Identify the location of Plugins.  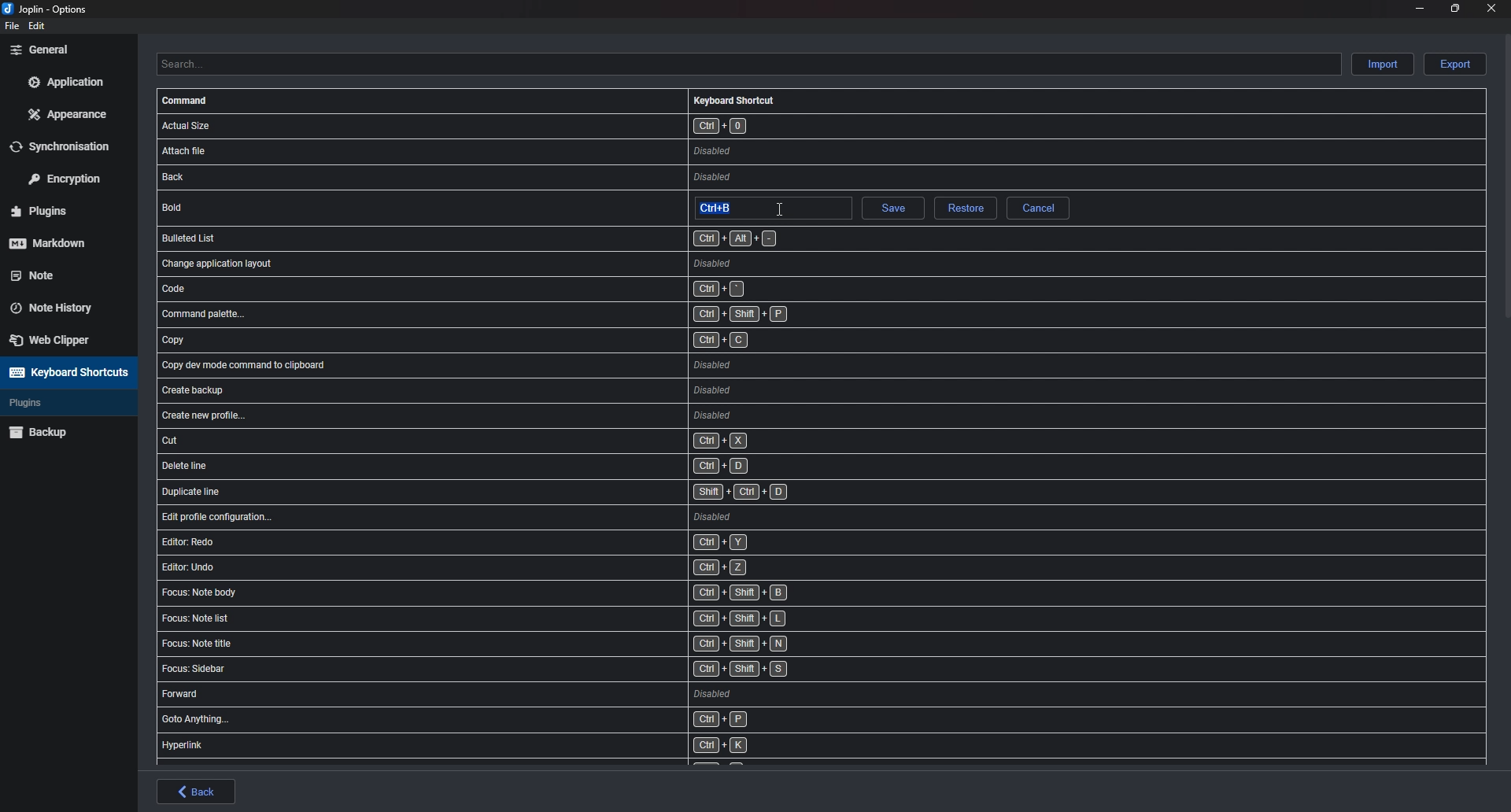
(61, 212).